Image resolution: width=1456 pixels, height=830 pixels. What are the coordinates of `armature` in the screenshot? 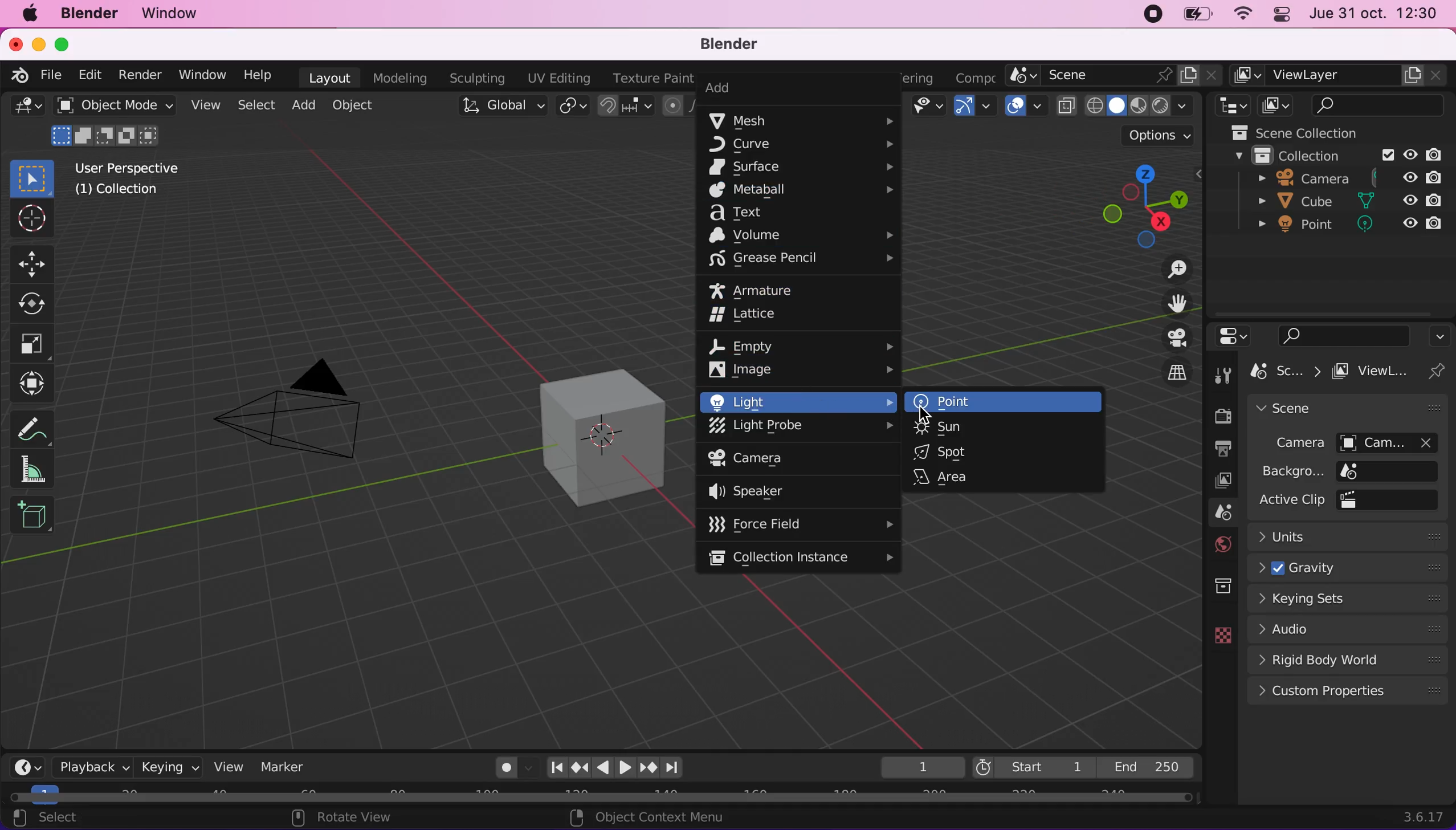 It's located at (773, 290).